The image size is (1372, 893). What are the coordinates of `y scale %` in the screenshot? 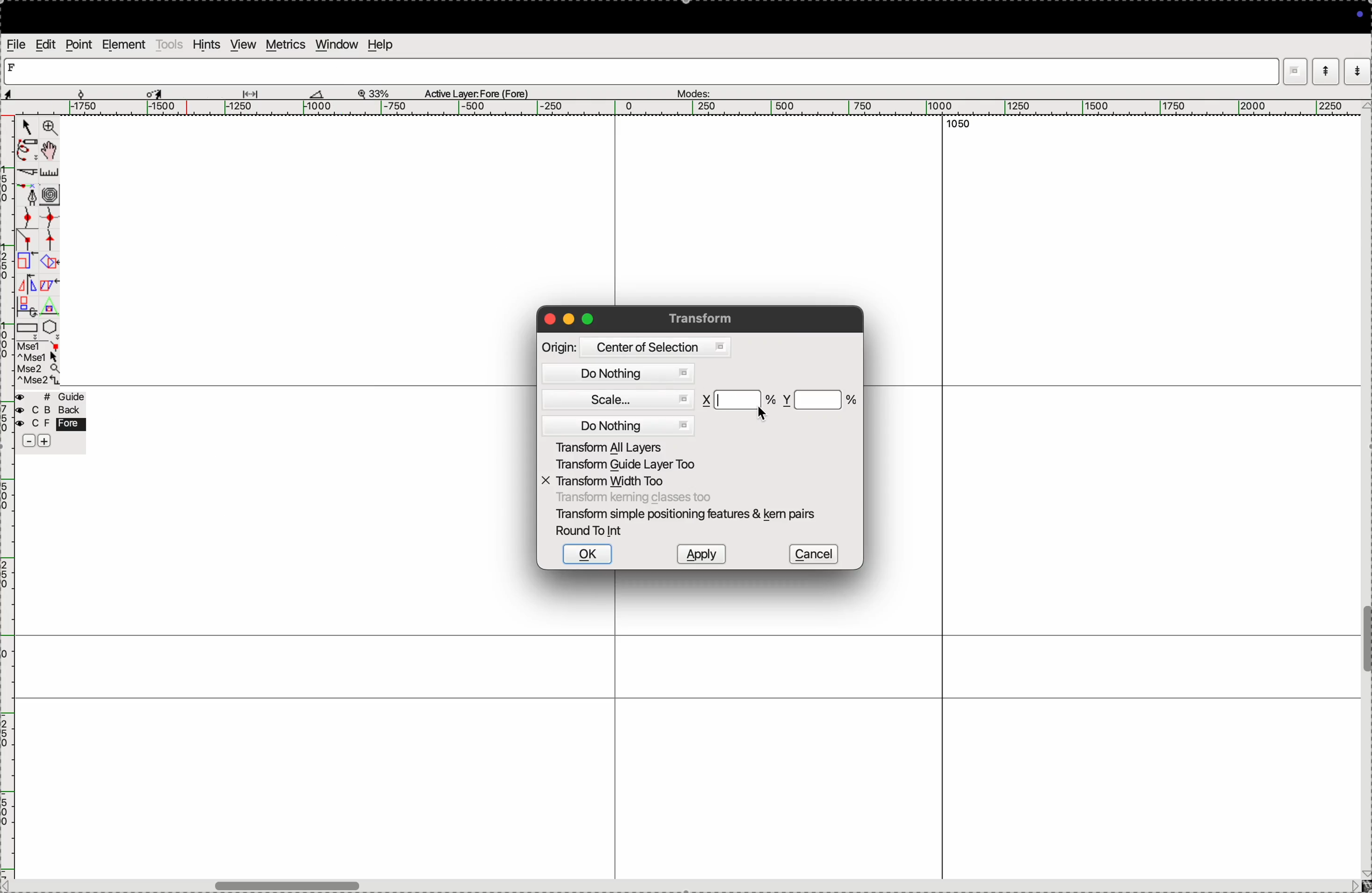 It's located at (820, 400).